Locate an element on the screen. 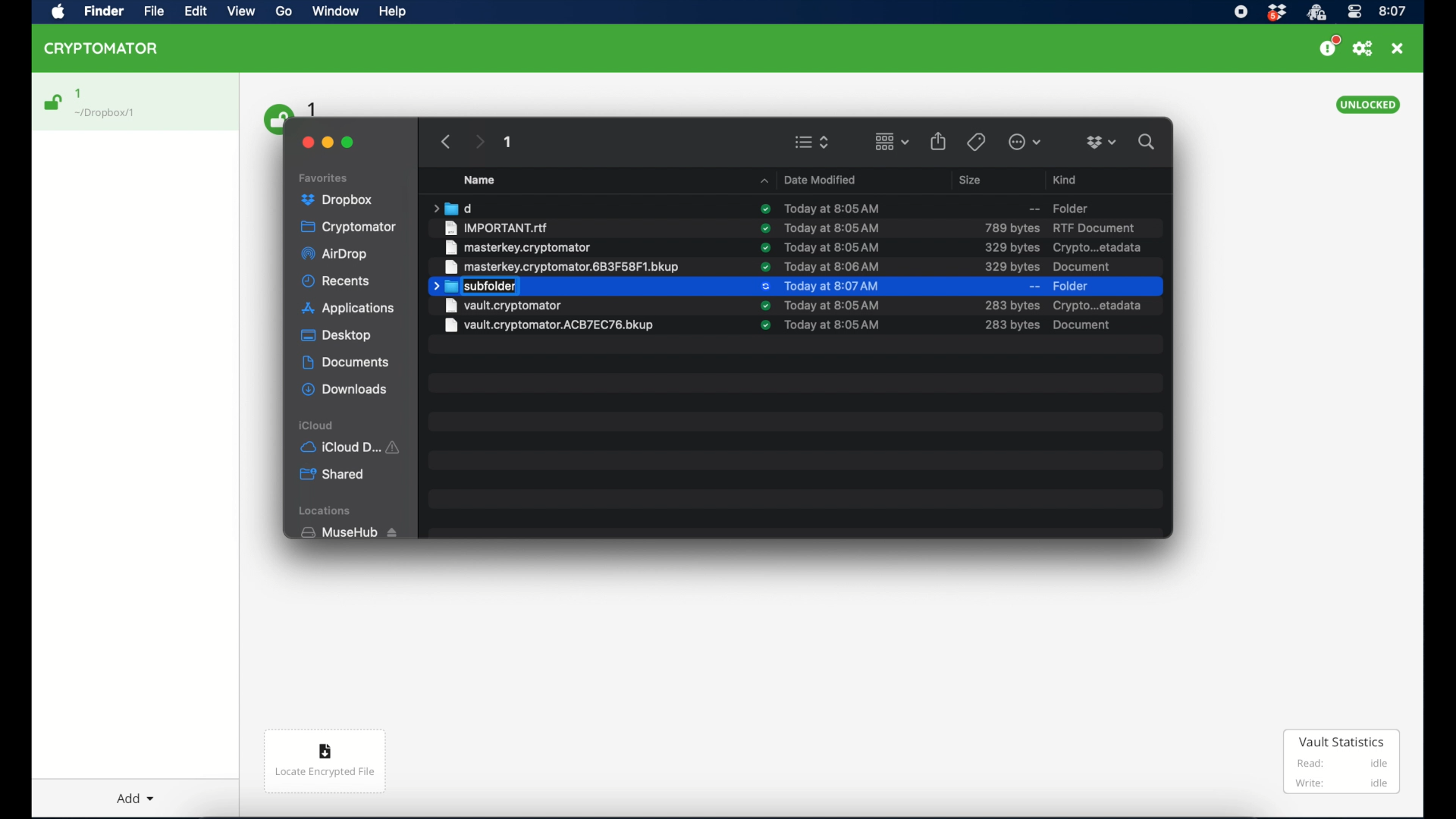 The width and height of the screenshot is (1456, 819). locations is located at coordinates (328, 511).